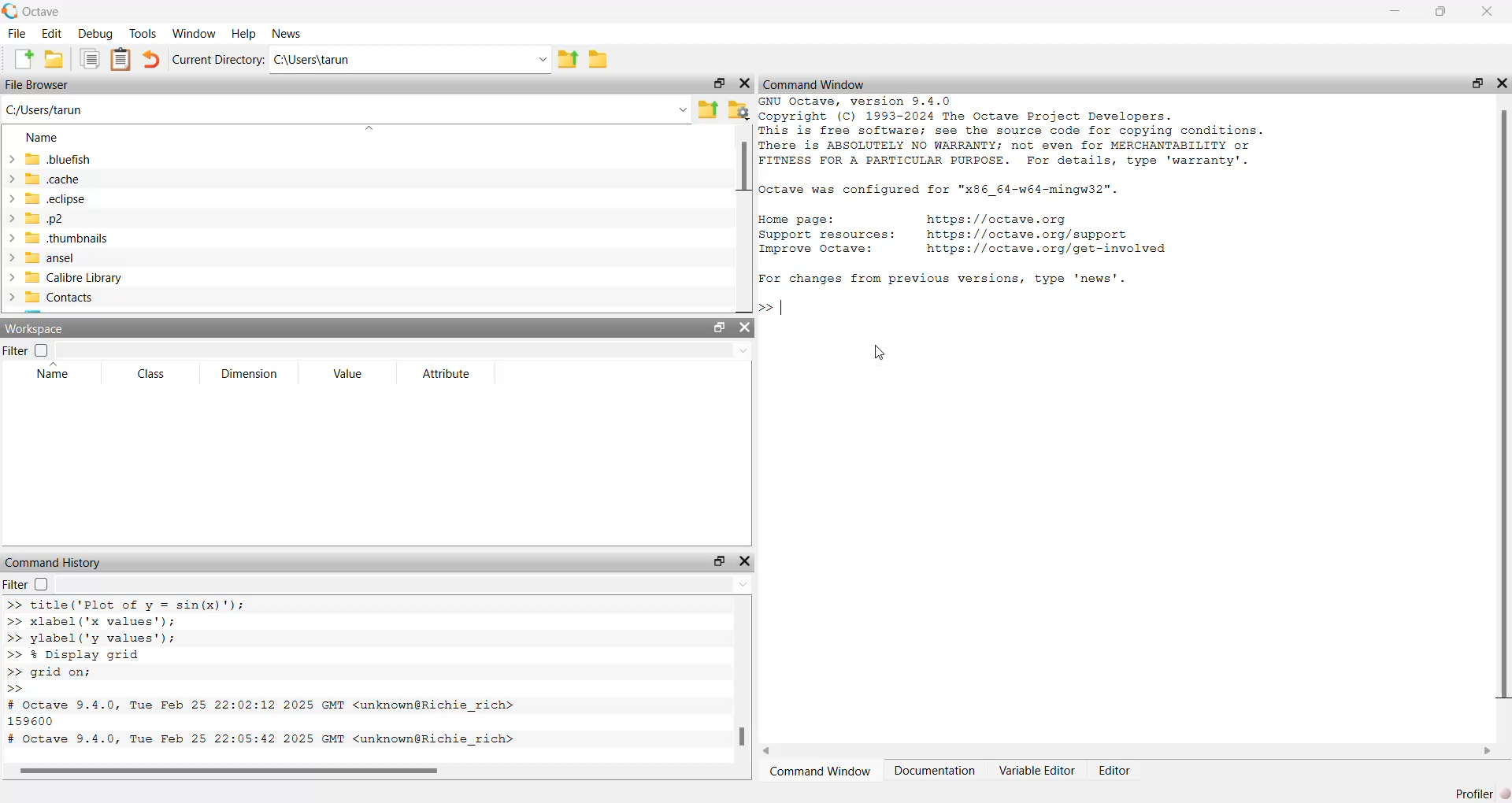  Describe the element at coordinates (244, 35) in the screenshot. I see `Help` at that location.